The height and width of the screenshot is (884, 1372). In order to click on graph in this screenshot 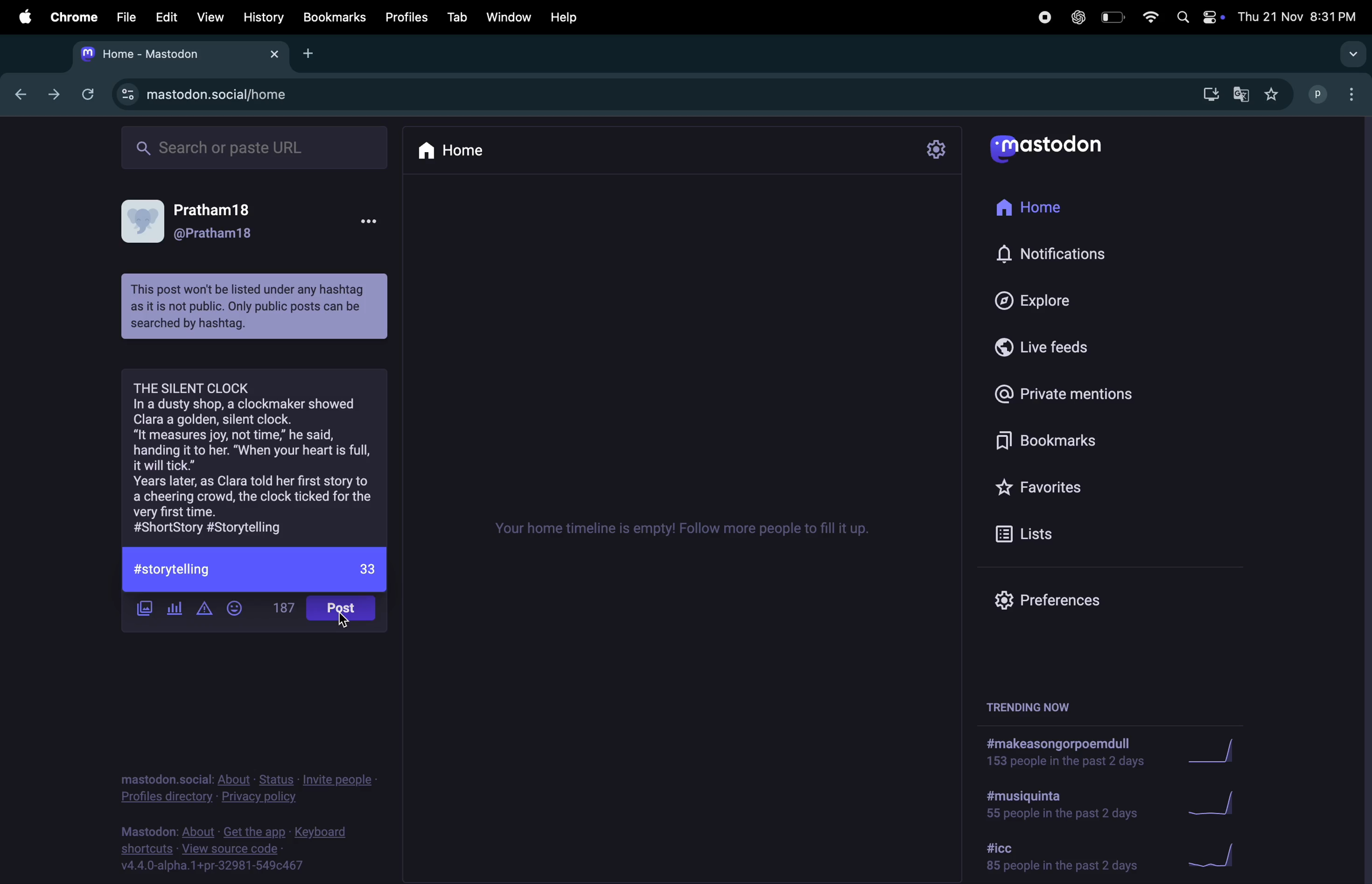, I will do `click(1210, 858)`.